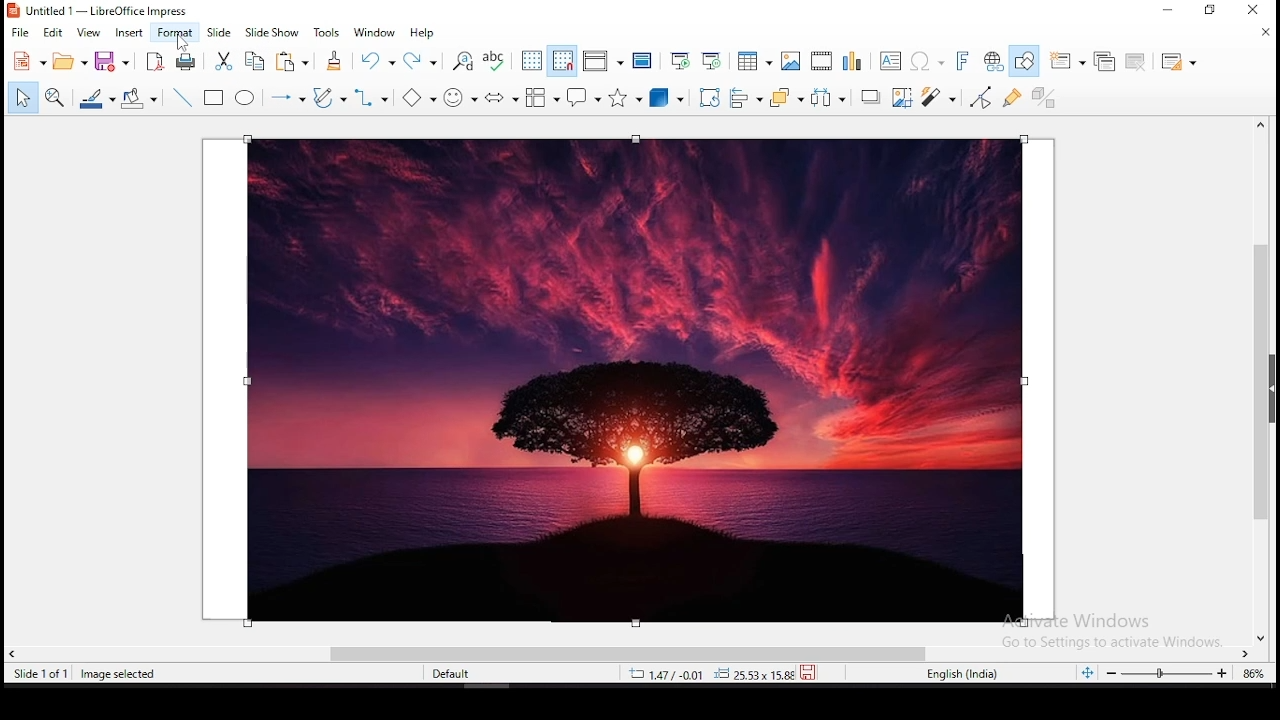 The width and height of the screenshot is (1280, 720). Describe the element at coordinates (97, 97) in the screenshot. I see `line color` at that location.